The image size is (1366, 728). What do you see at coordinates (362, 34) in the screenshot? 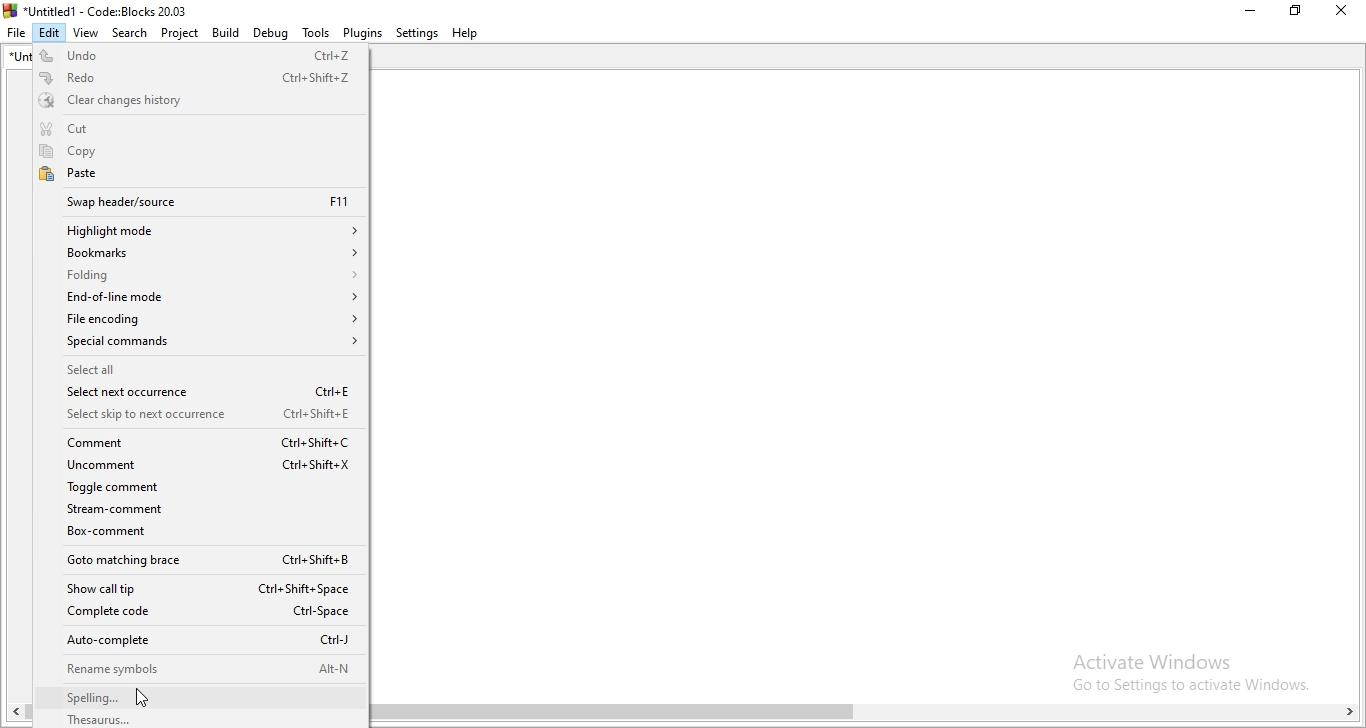
I see `Plugins ` at bounding box center [362, 34].